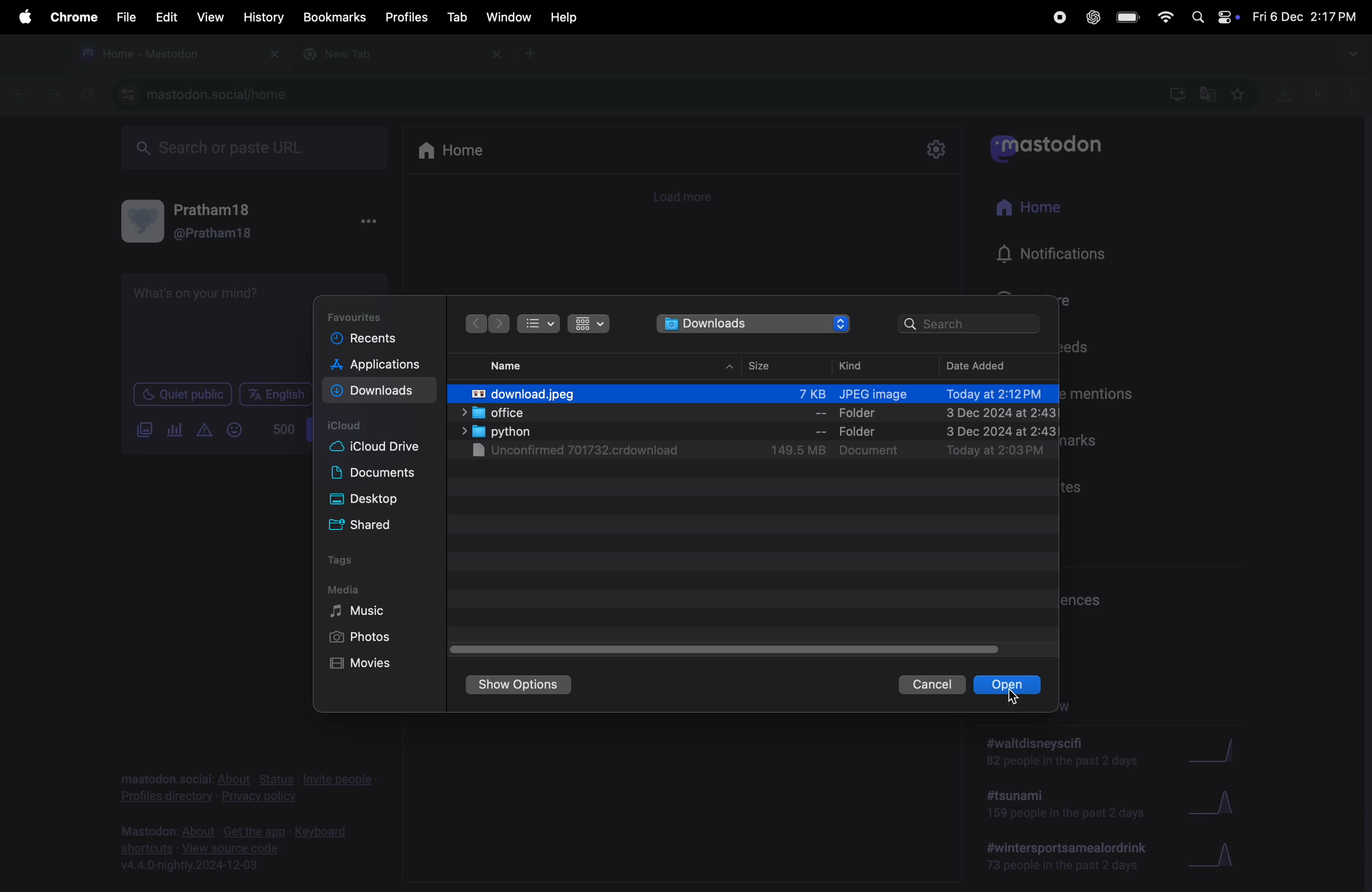 The image size is (1372, 892). I want to click on window, so click(510, 18).